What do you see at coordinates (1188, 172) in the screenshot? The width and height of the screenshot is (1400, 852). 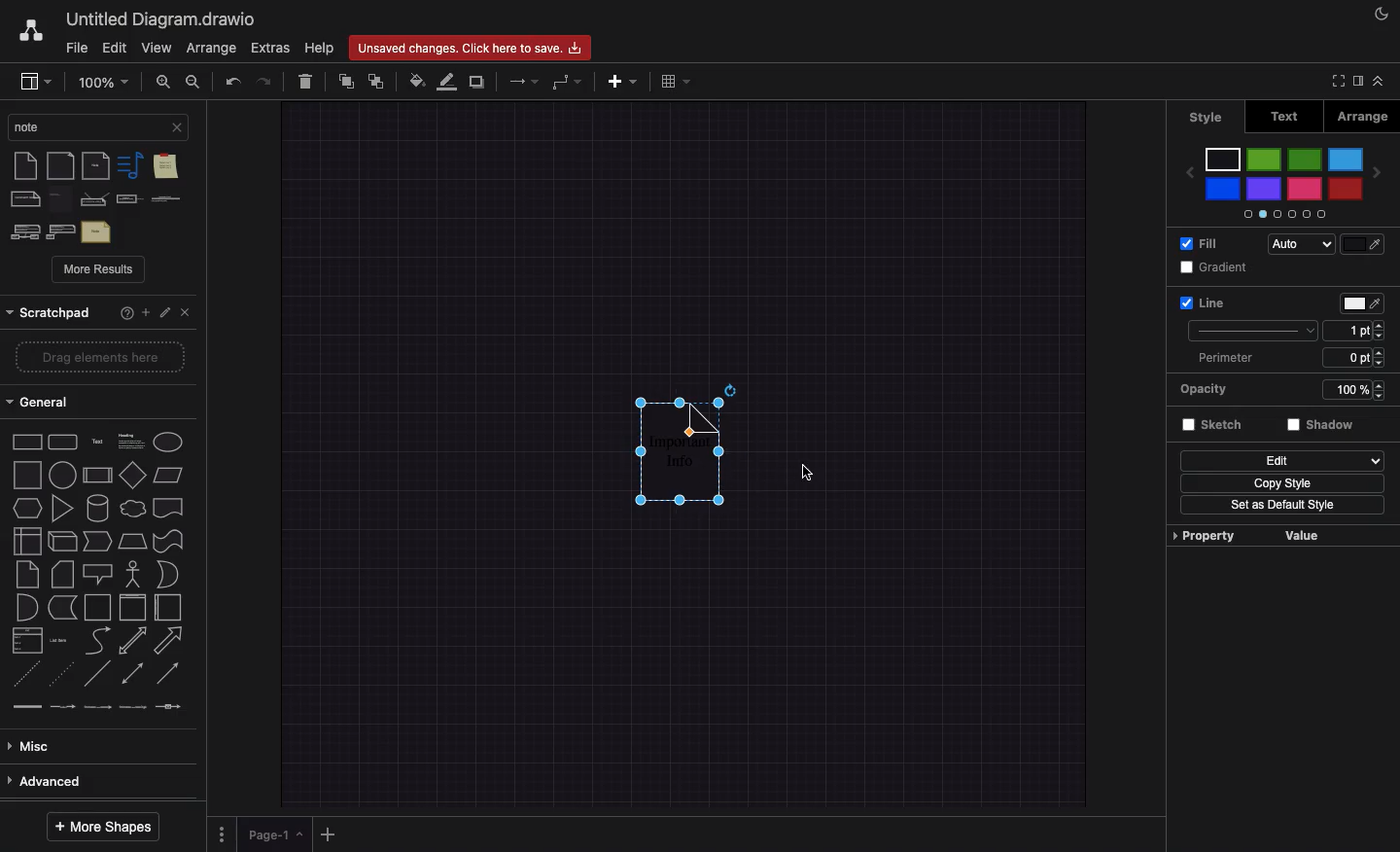 I see `preview` at bounding box center [1188, 172].